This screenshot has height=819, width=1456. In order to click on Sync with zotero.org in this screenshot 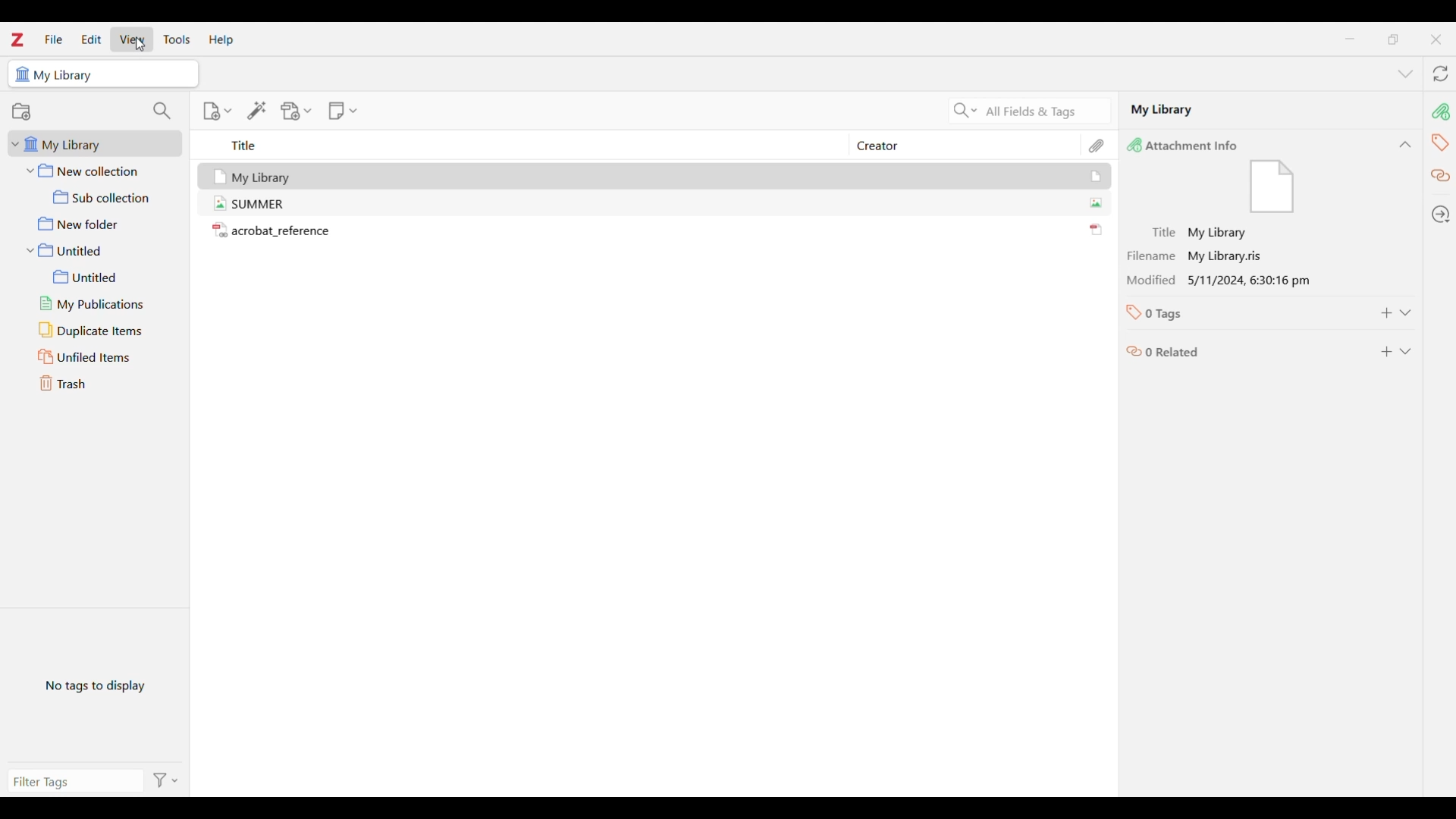, I will do `click(1440, 74)`.